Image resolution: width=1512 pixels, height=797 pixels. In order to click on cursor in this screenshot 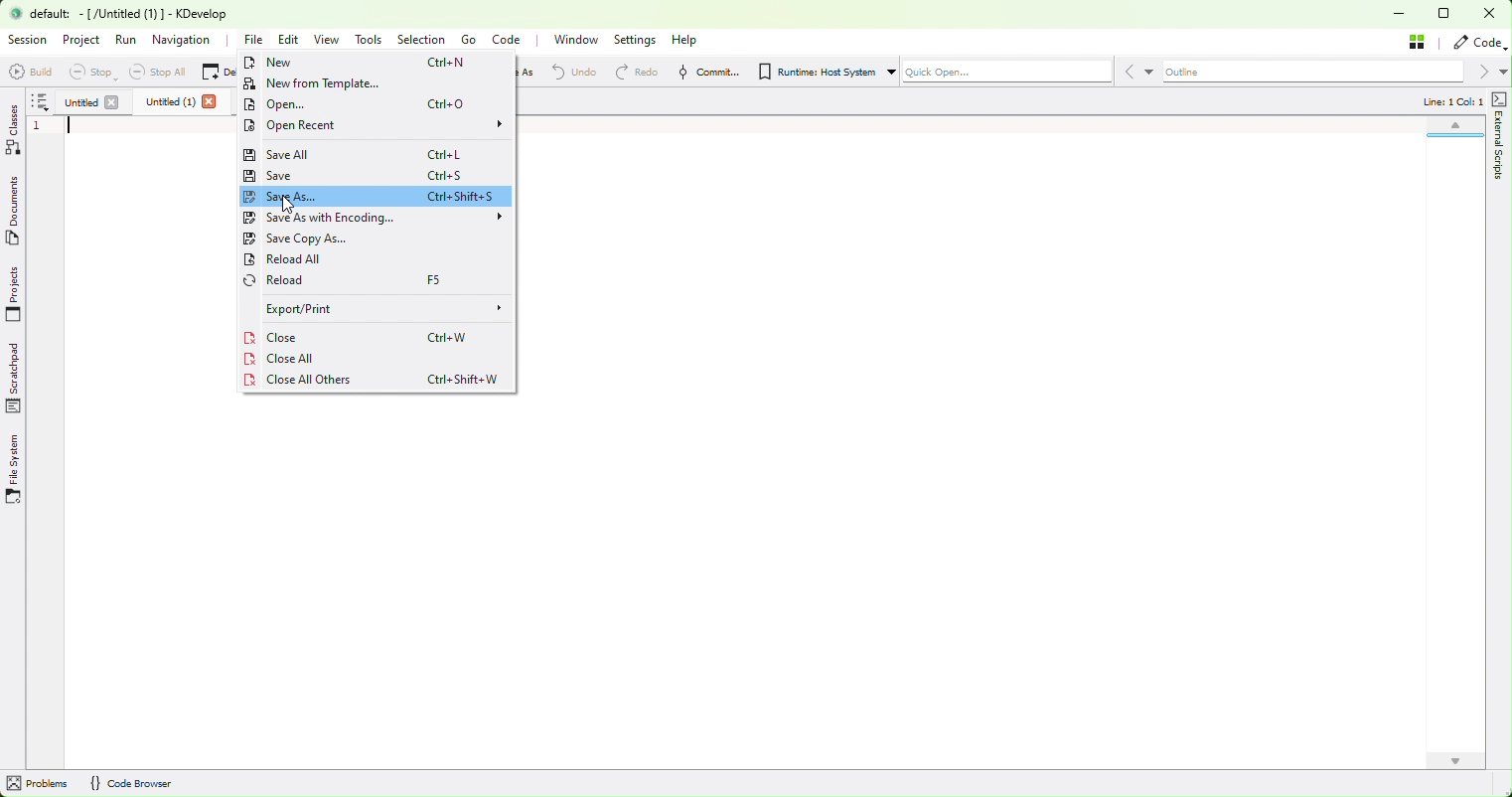, I will do `click(287, 205)`.